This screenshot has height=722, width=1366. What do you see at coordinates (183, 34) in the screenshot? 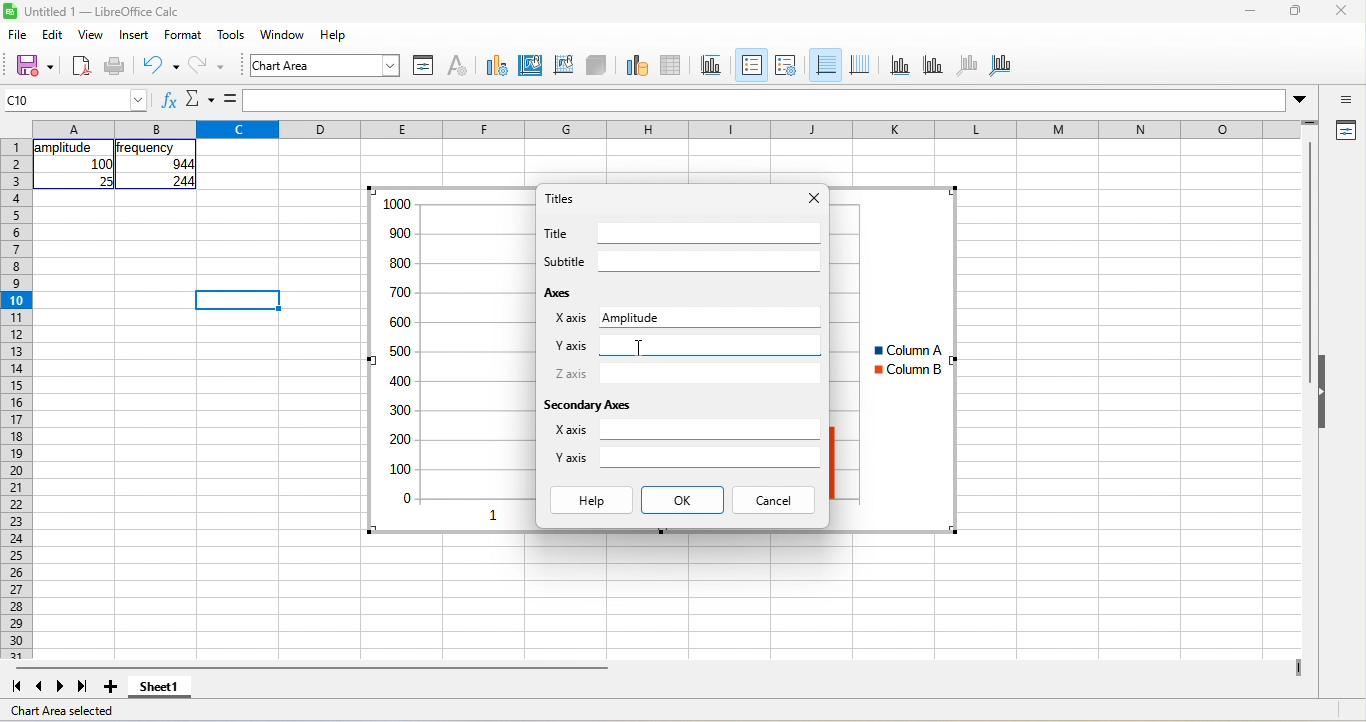
I see `format` at bounding box center [183, 34].